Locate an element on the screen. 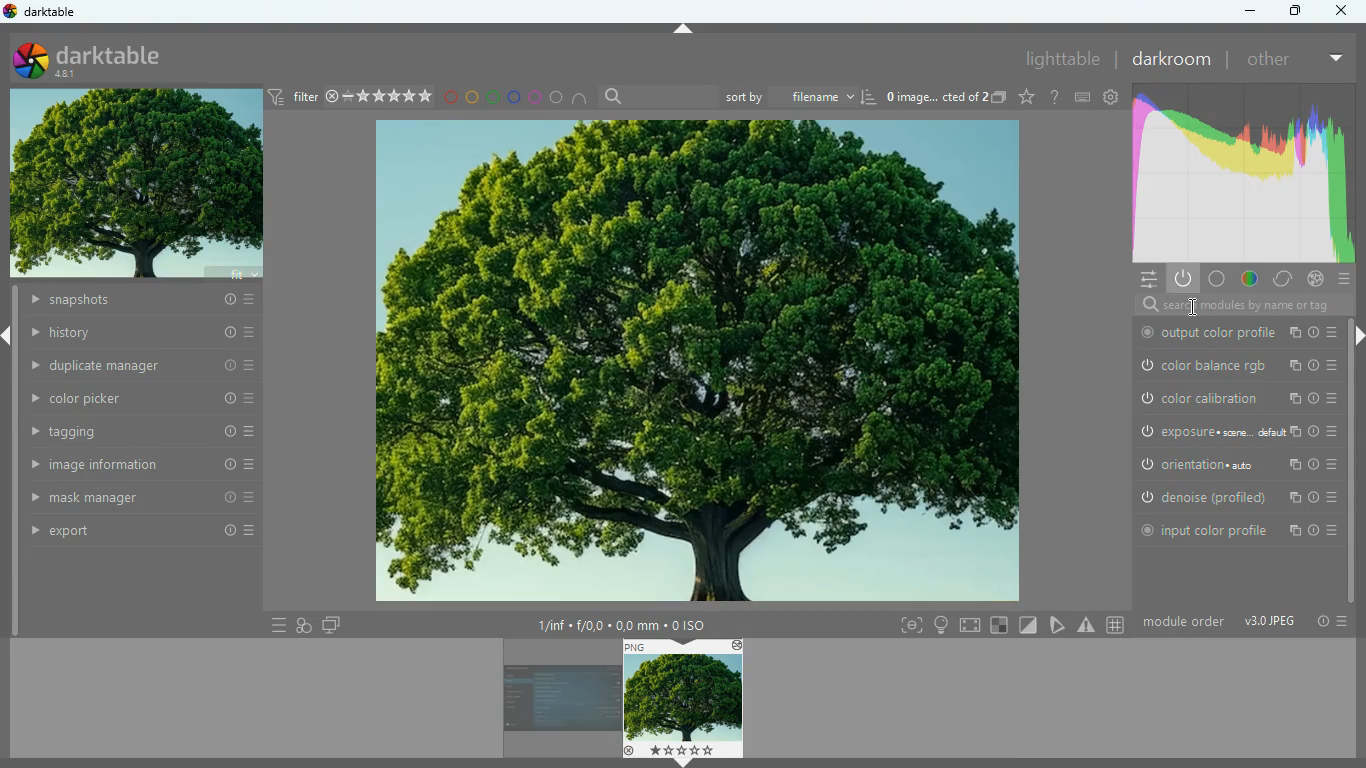 The image size is (1366, 768). effect is located at coordinates (1317, 278).